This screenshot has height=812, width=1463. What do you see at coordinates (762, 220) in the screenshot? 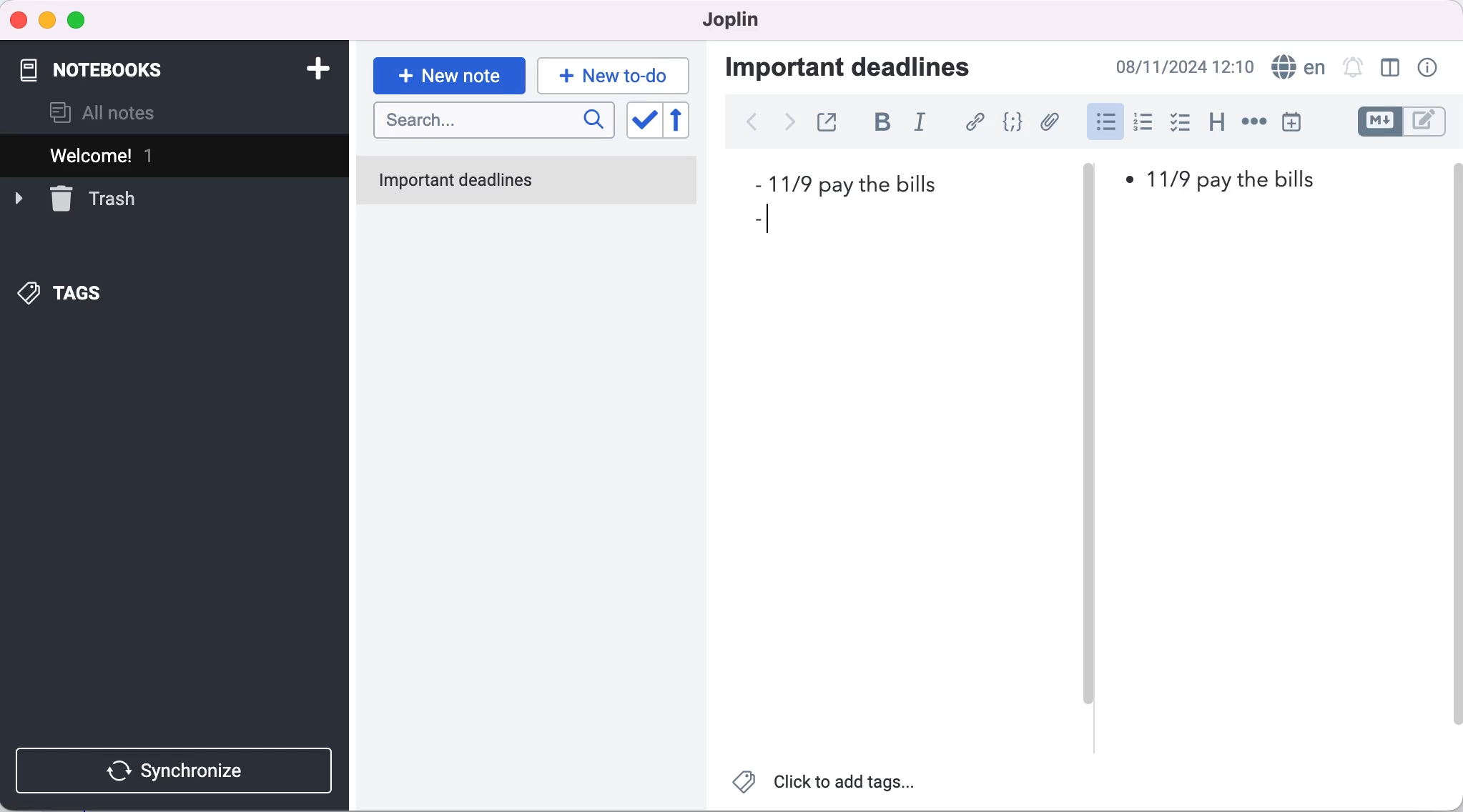
I see `bullet 2` at bounding box center [762, 220].